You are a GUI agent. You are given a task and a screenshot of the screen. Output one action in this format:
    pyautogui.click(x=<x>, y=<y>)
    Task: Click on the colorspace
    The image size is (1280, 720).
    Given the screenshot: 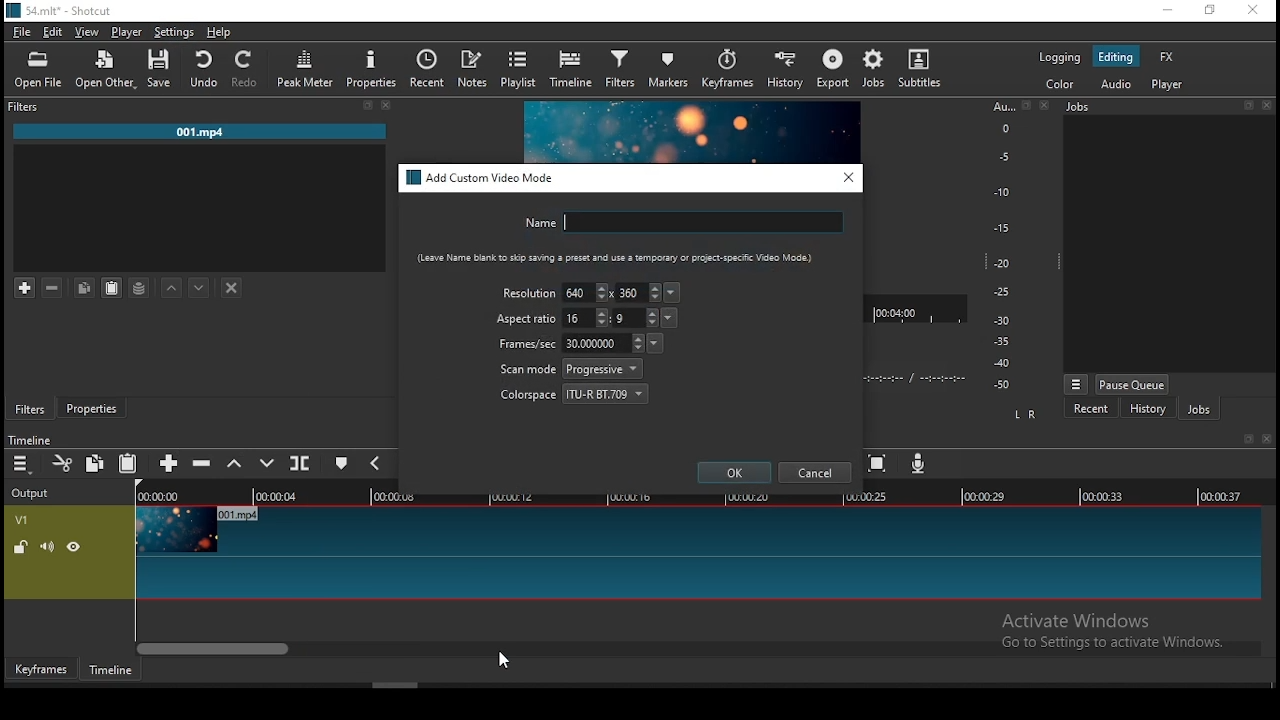 What is the action you would take?
    pyautogui.click(x=575, y=392)
    